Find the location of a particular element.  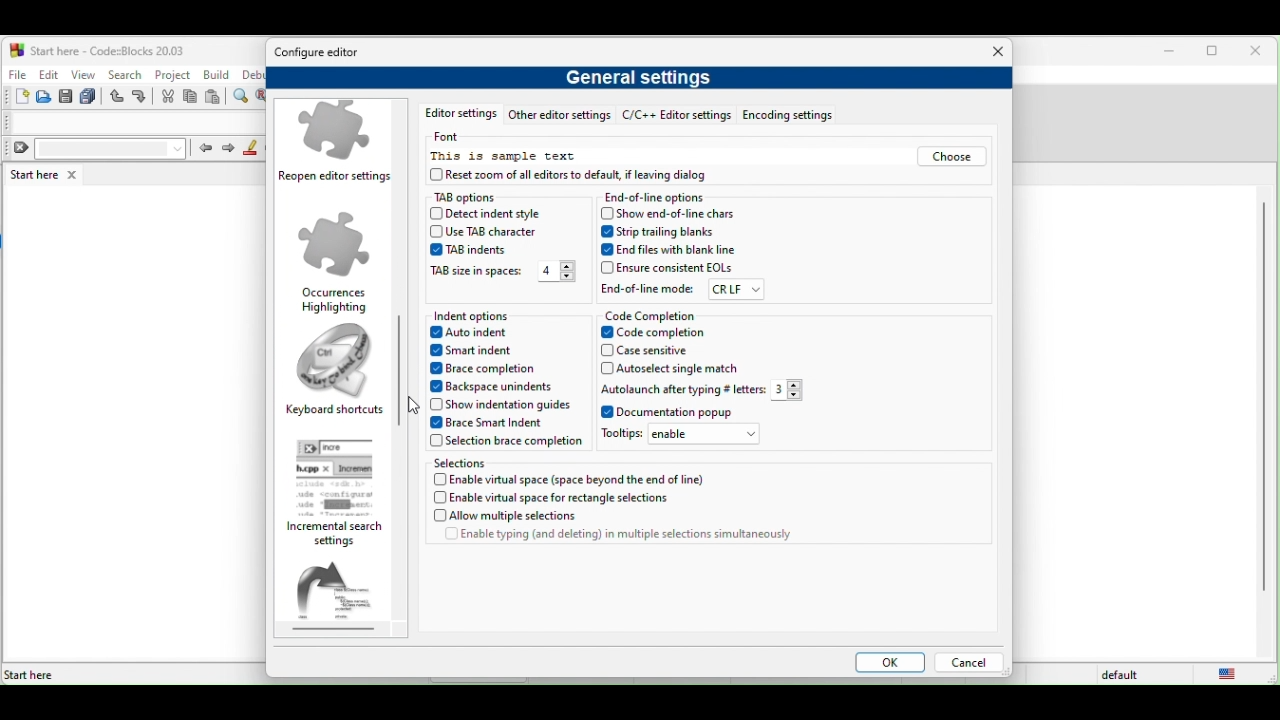

united state is located at coordinates (1232, 674).